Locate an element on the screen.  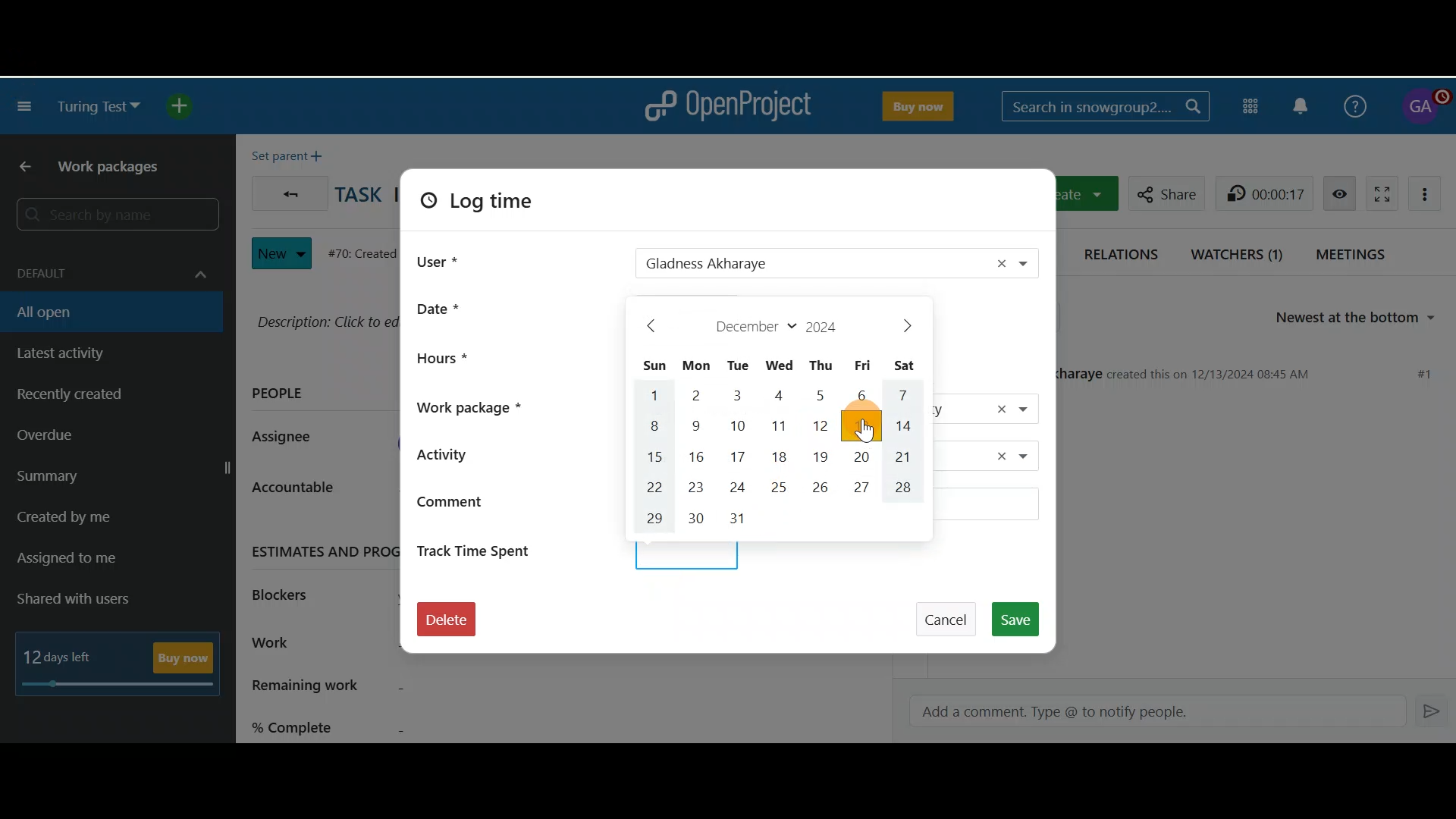
TASK is located at coordinates (359, 198).